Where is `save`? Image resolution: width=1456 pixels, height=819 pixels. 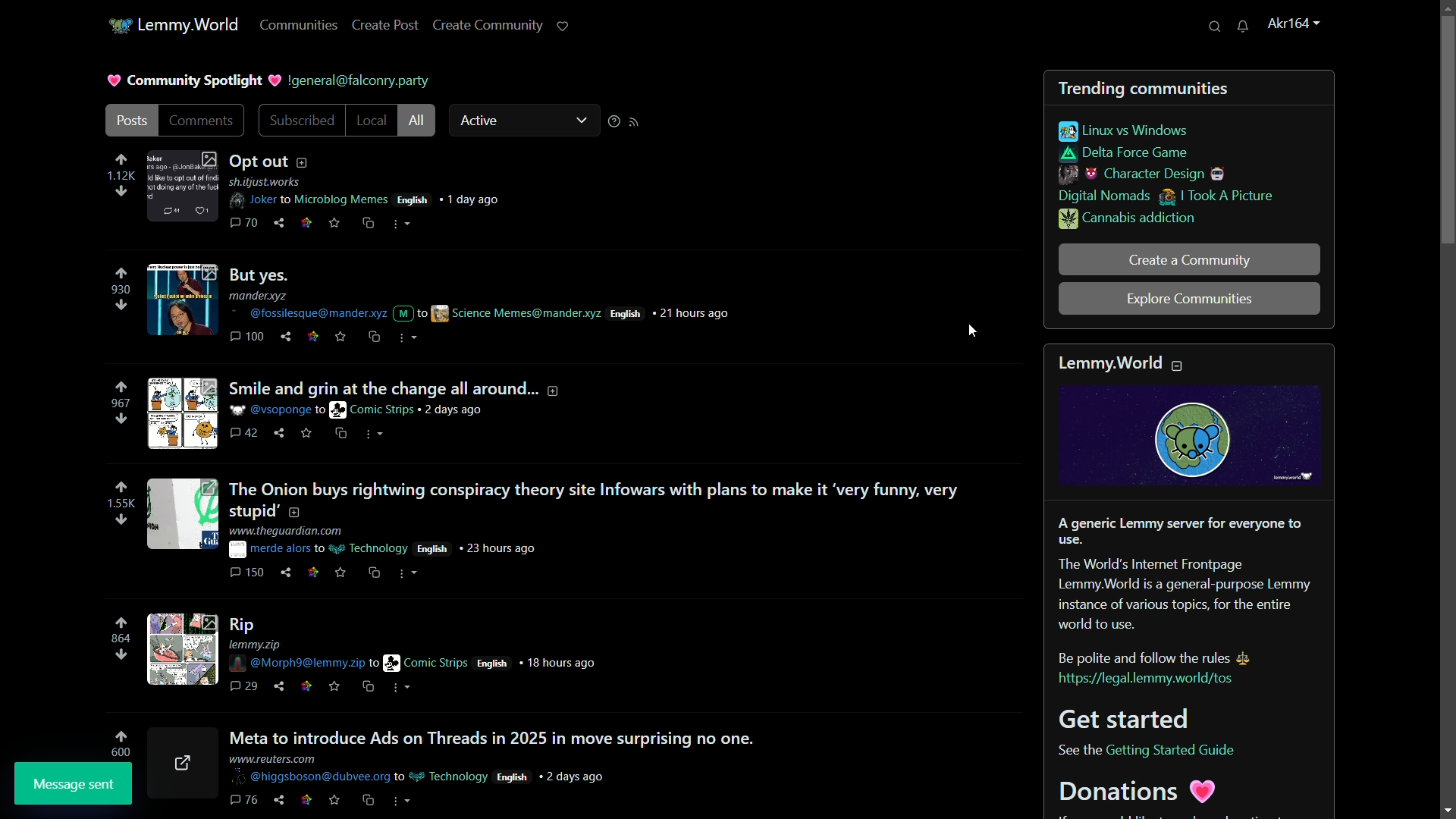
save is located at coordinates (344, 570).